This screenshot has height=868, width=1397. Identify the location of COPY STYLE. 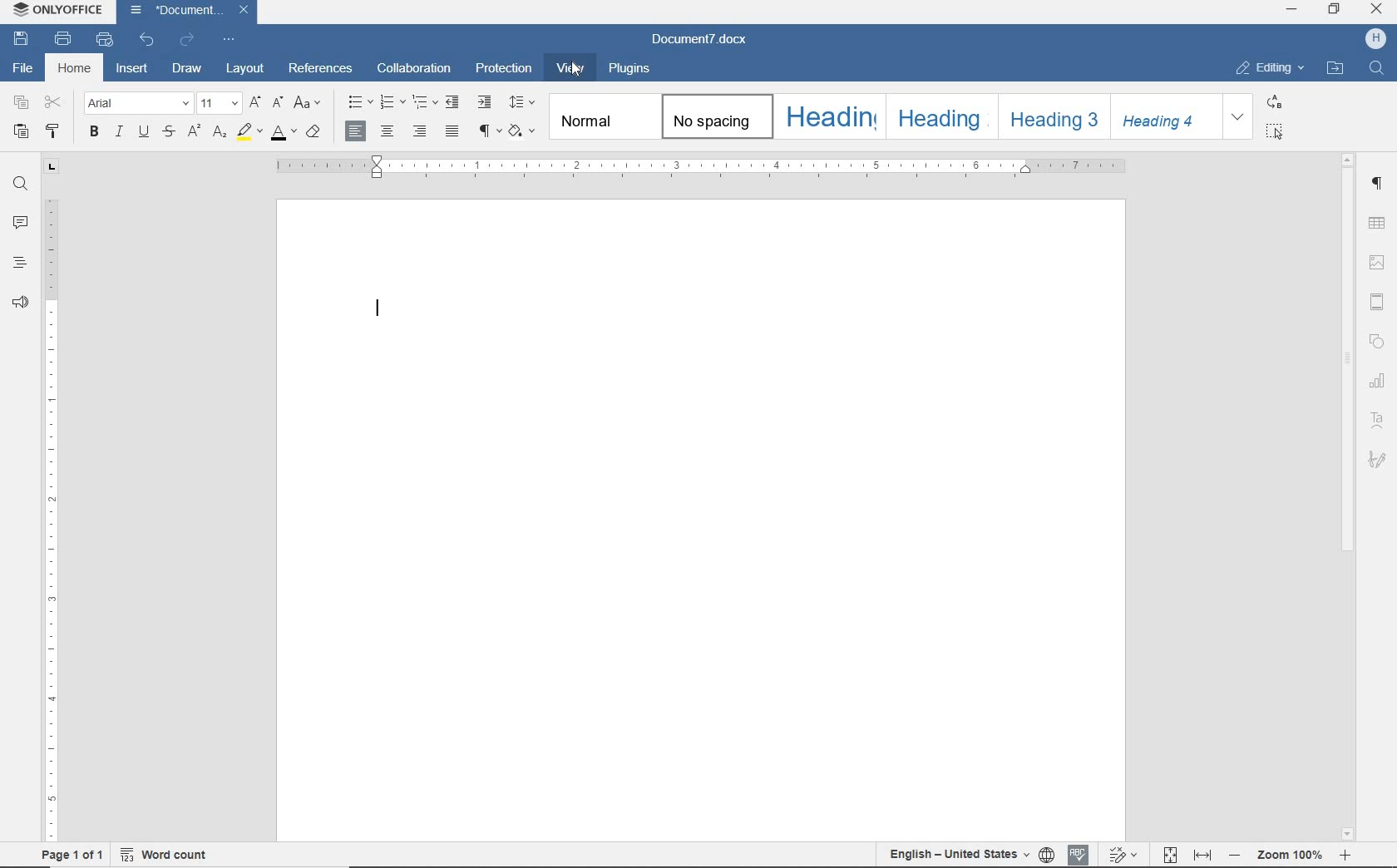
(54, 132).